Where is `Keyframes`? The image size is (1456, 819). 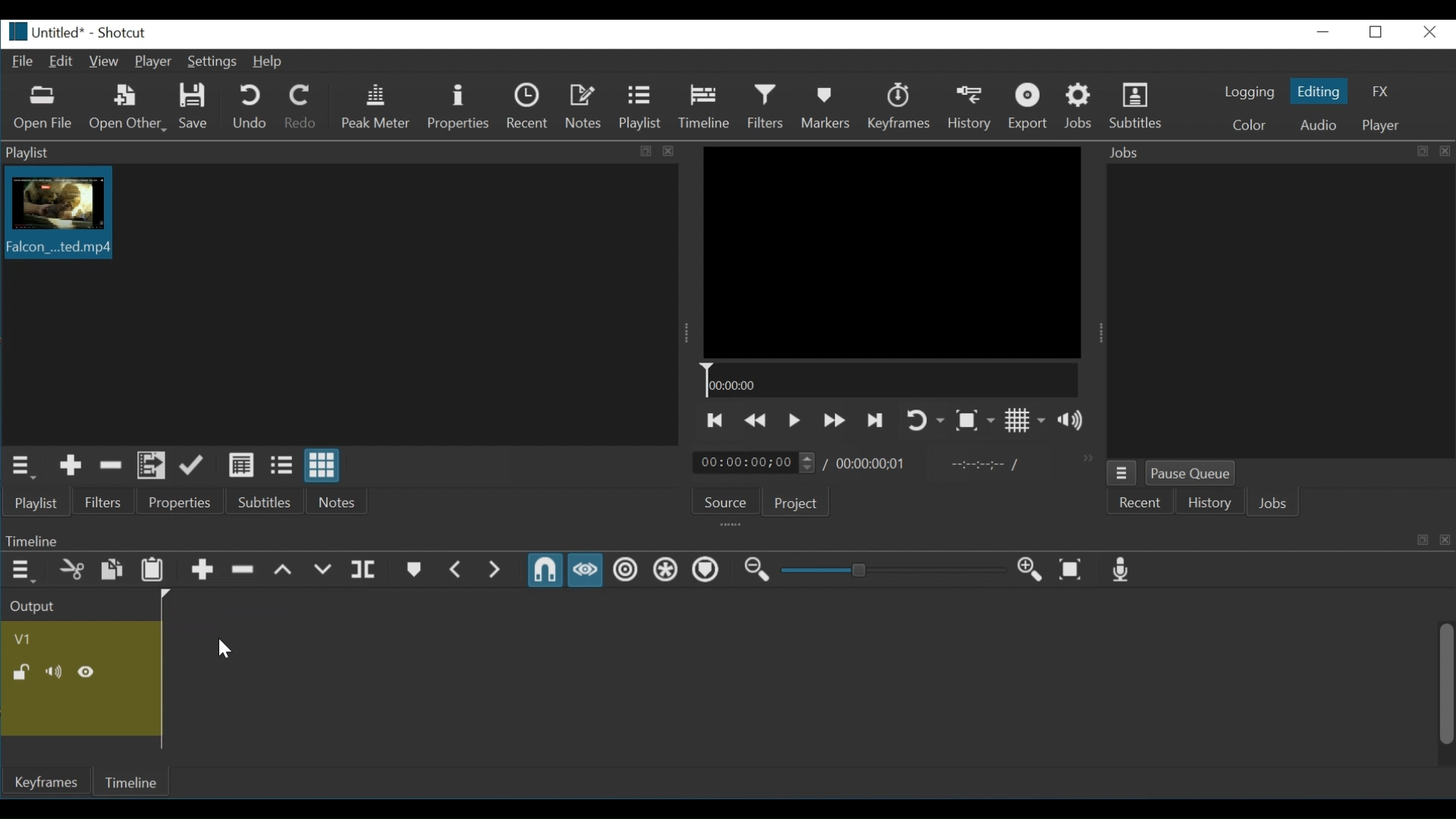
Keyframes is located at coordinates (903, 106).